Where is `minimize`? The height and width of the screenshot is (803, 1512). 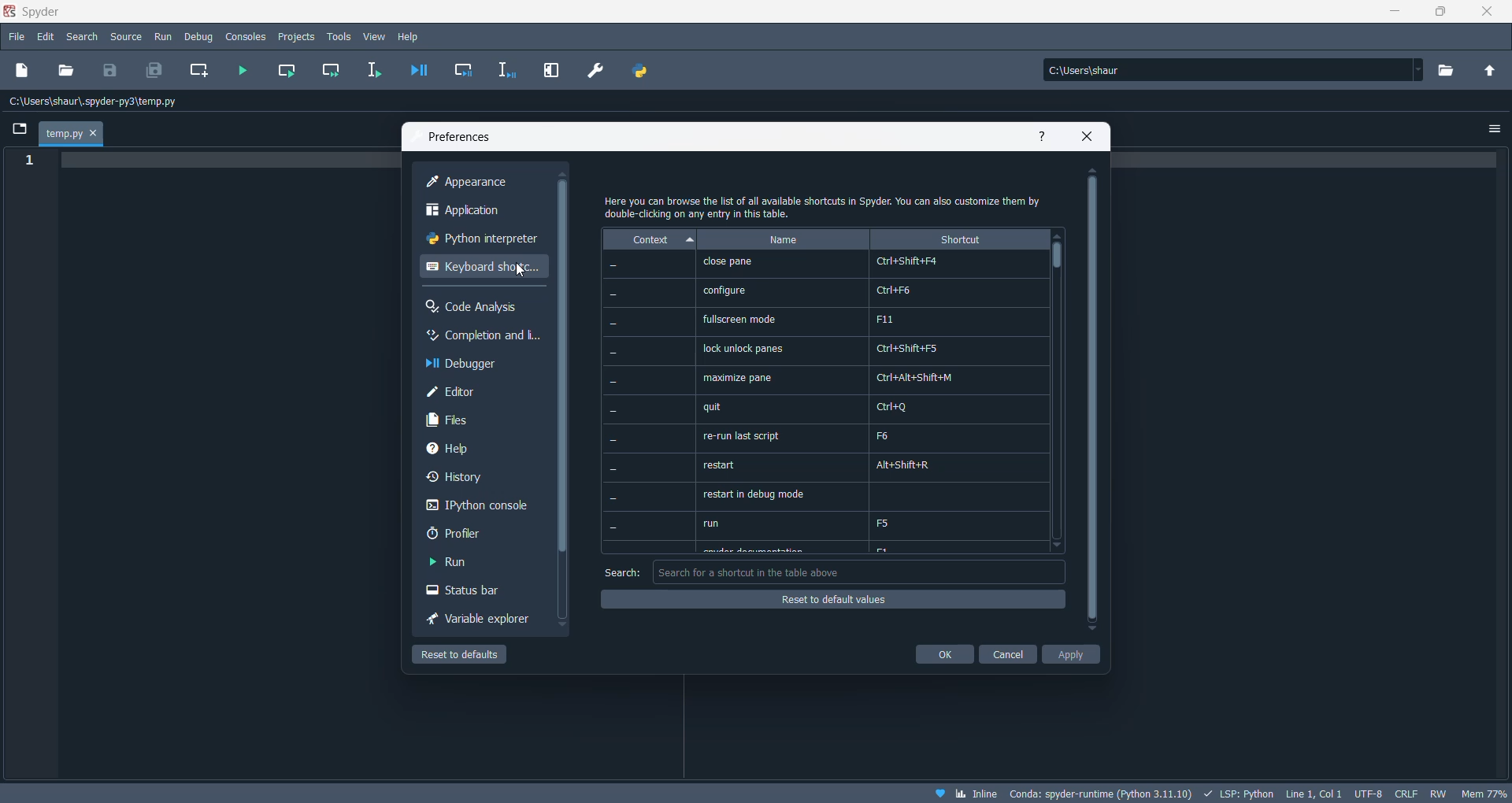 minimize is located at coordinates (1390, 14).